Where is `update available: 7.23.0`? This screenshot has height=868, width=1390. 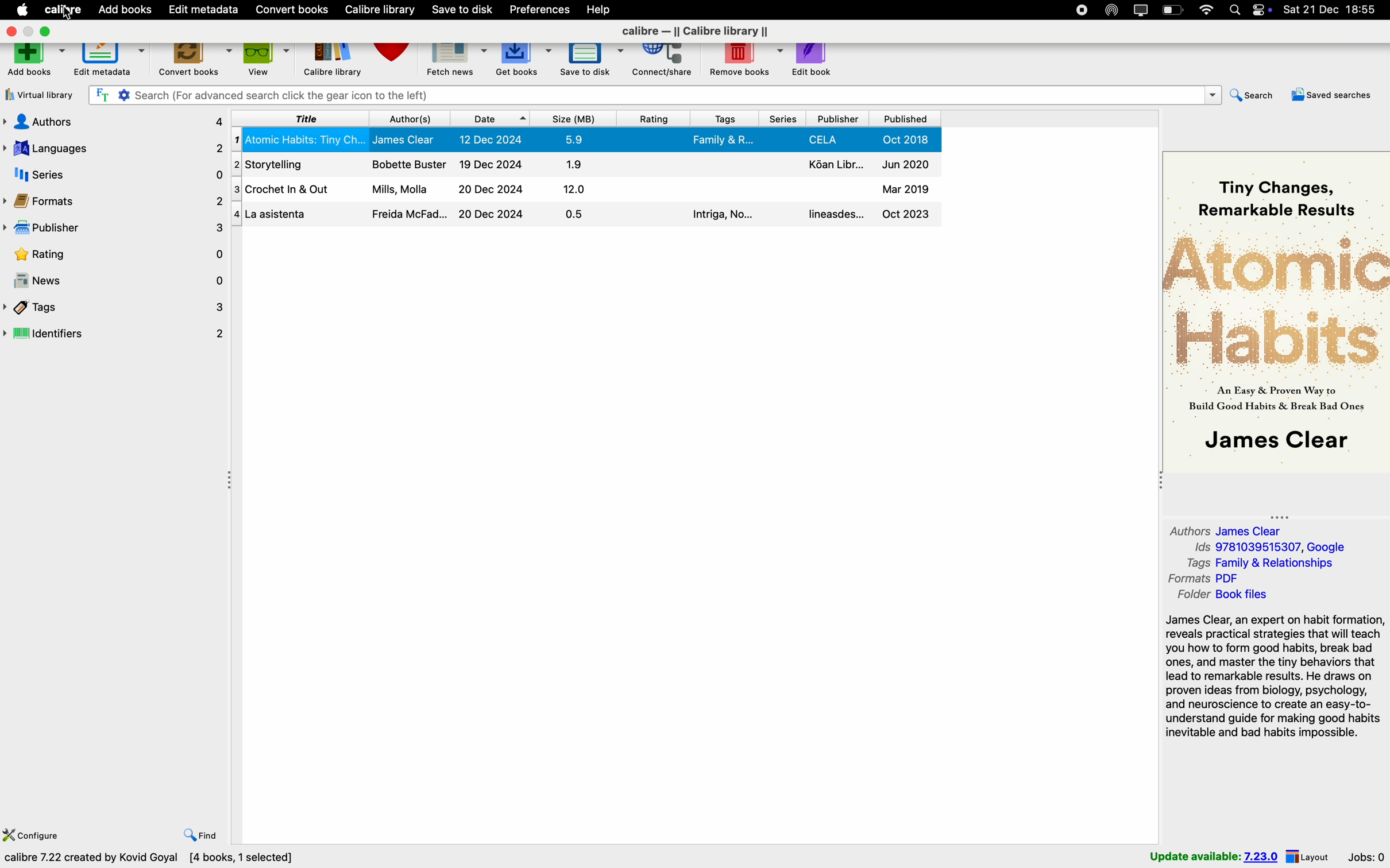
update available: 7.23.0 is located at coordinates (1211, 856).